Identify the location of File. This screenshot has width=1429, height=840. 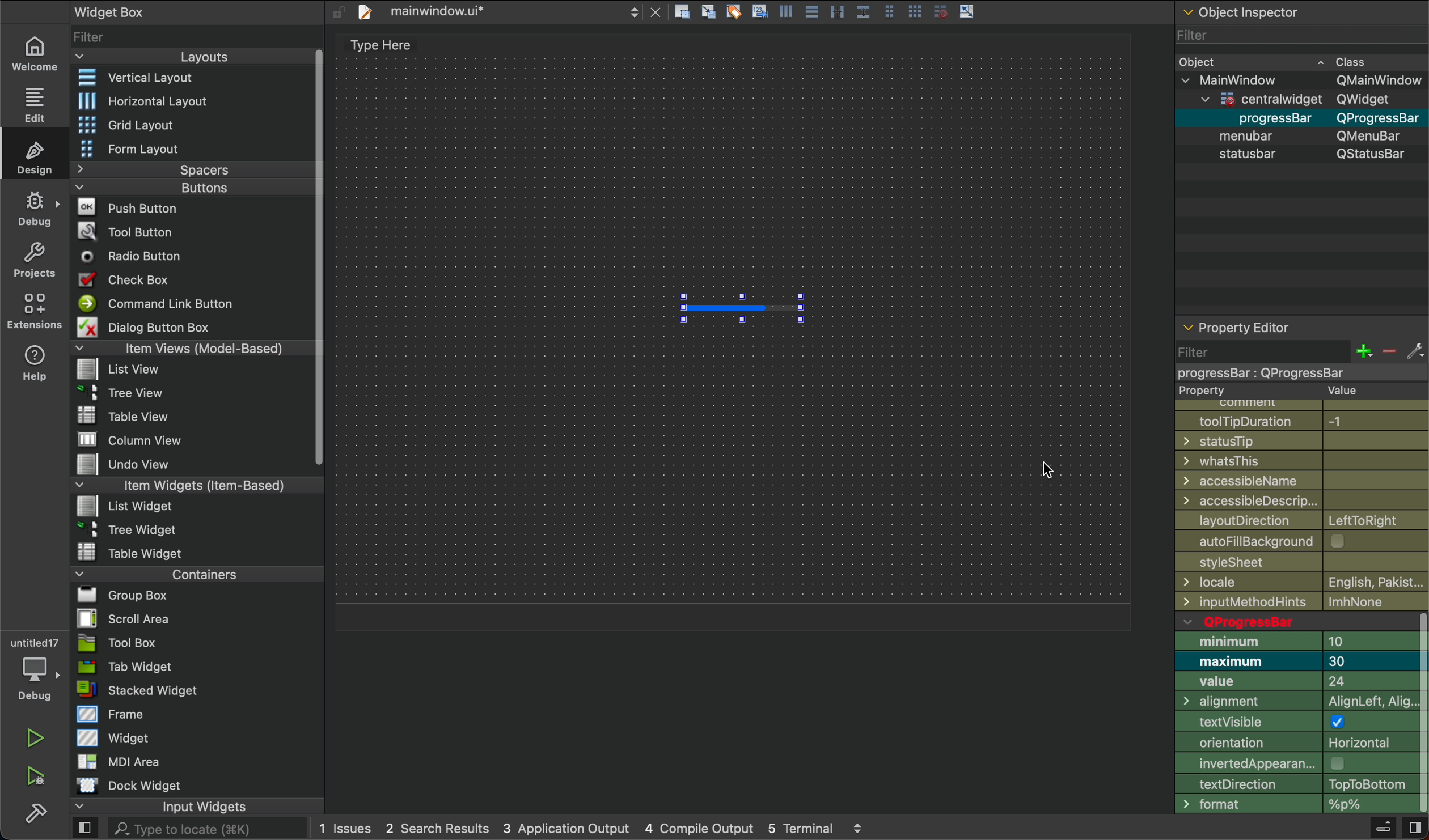
(123, 370).